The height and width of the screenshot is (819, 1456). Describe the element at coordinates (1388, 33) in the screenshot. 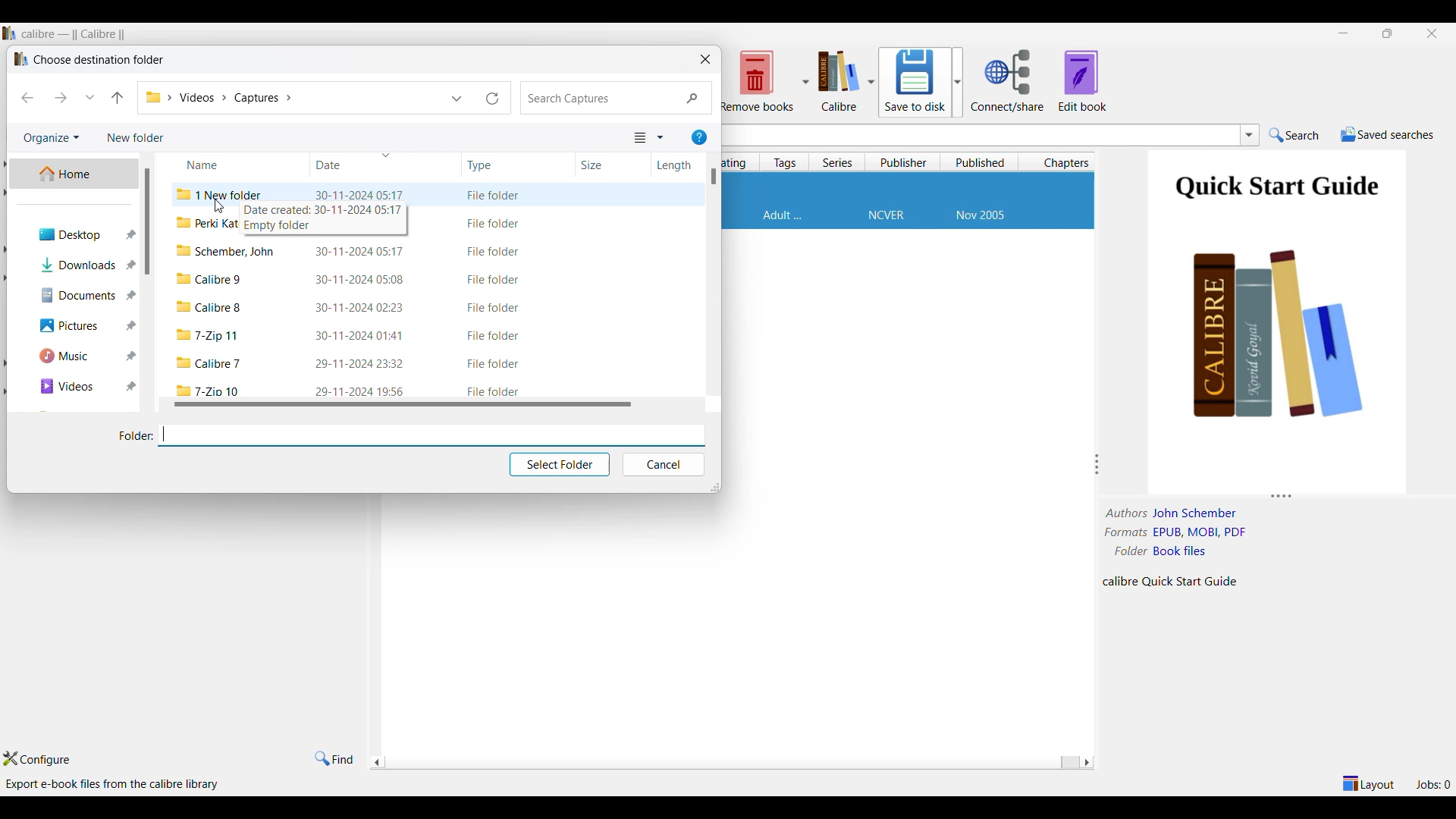

I see `Show interface in a smaller tab` at that location.